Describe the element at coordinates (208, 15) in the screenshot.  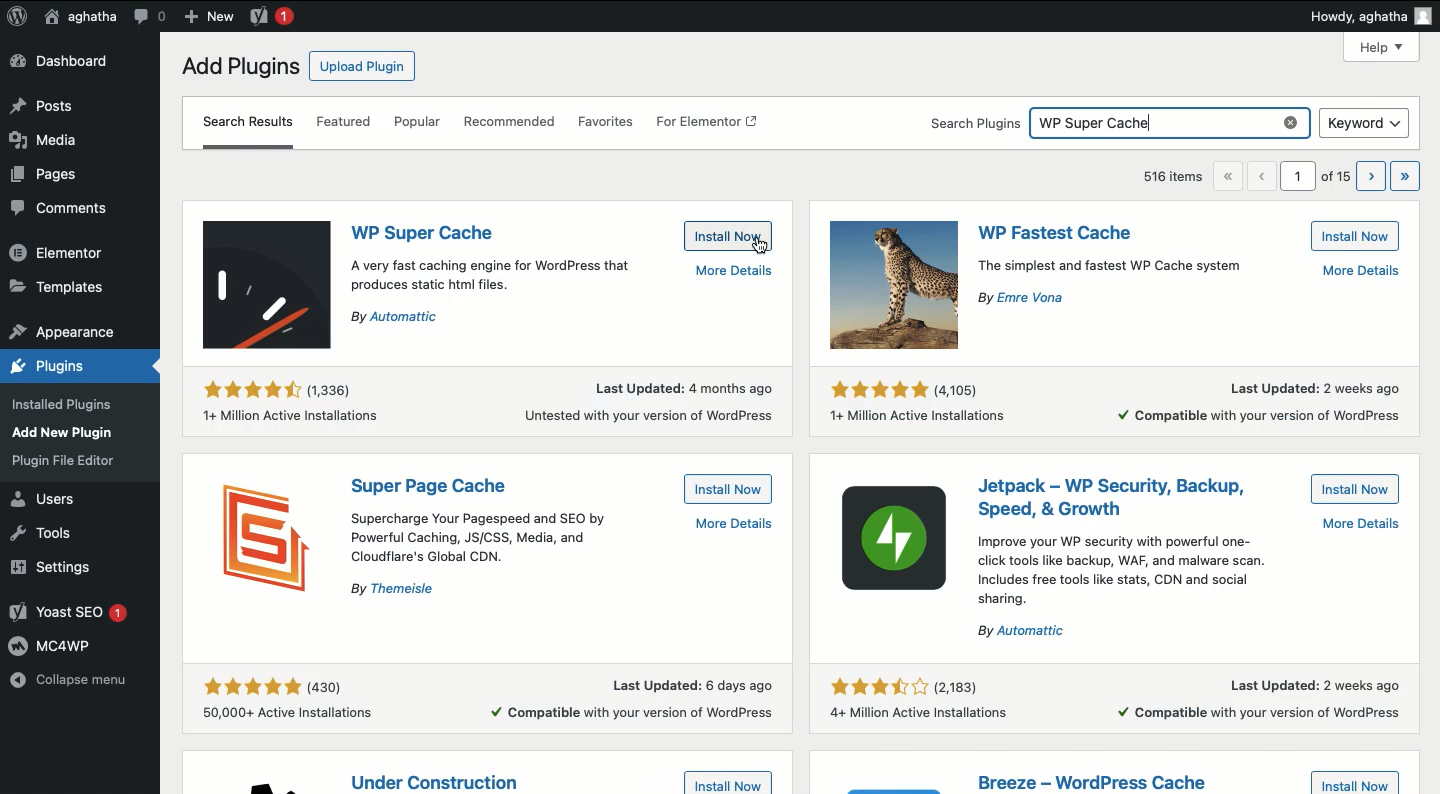
I see `add new` at that location.